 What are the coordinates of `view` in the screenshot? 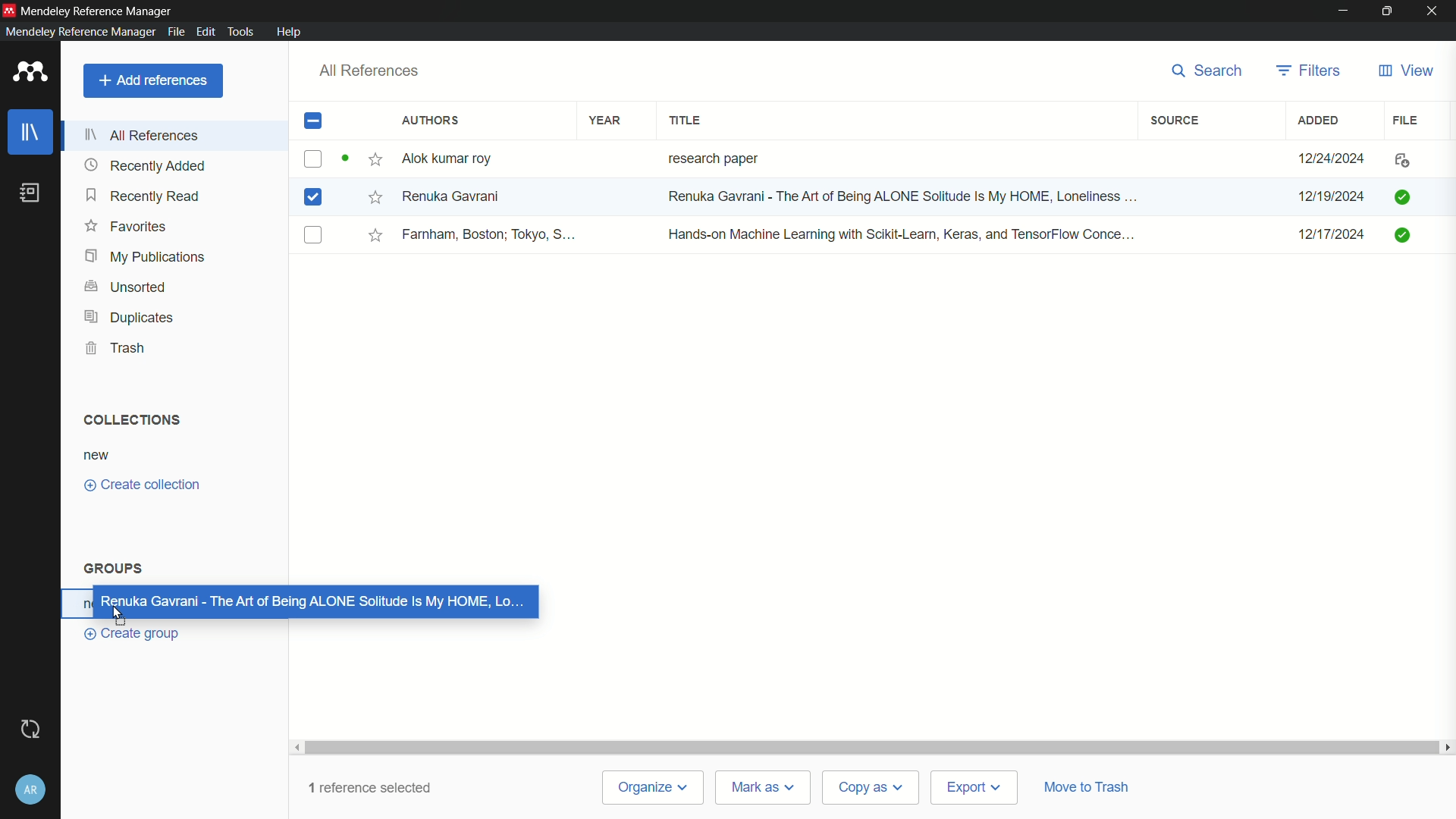 It's located at (1404, 71).